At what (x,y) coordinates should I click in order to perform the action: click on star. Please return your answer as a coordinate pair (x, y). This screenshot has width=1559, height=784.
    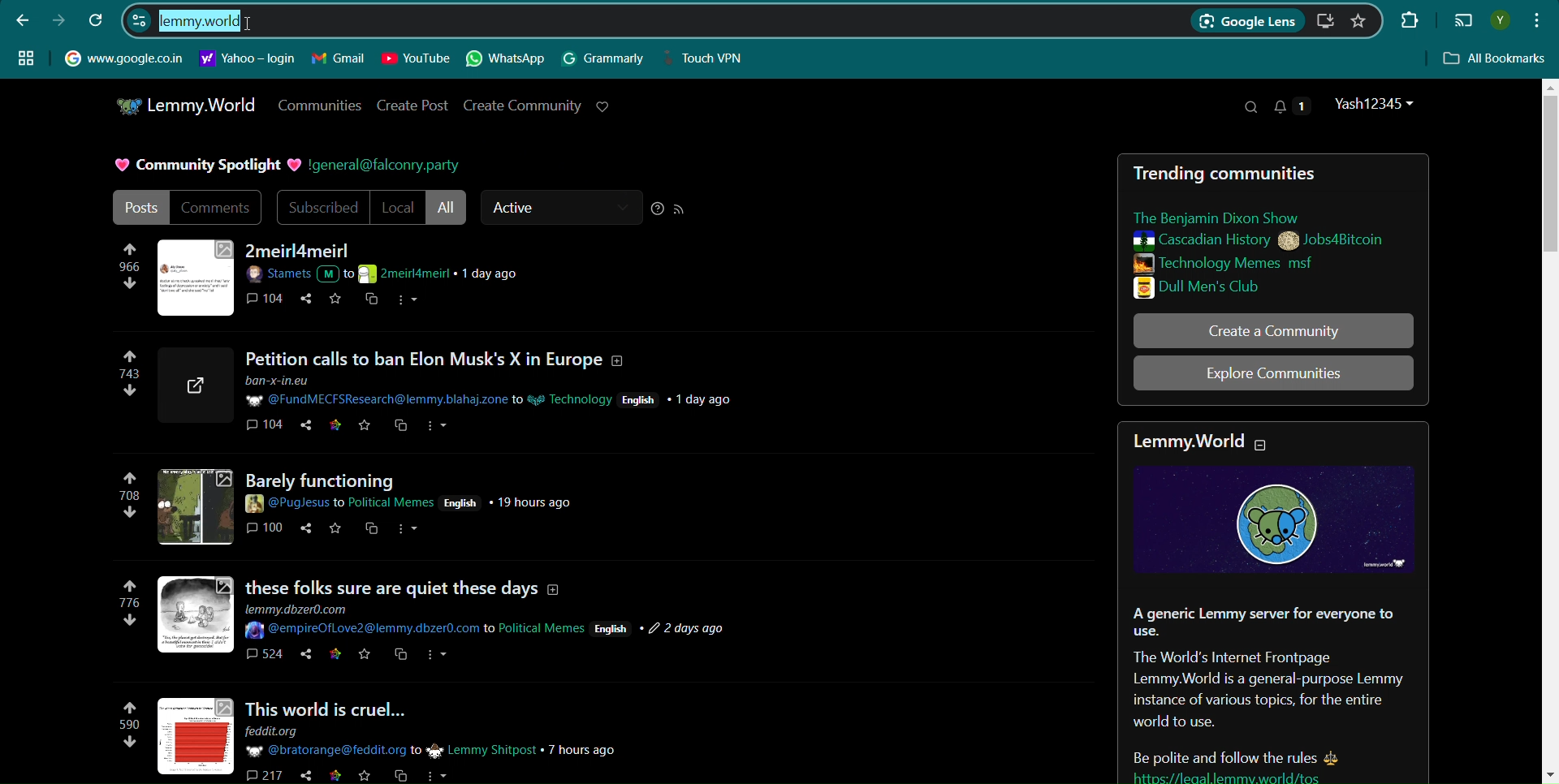
    Looking at the image, I should click on (363, 777).